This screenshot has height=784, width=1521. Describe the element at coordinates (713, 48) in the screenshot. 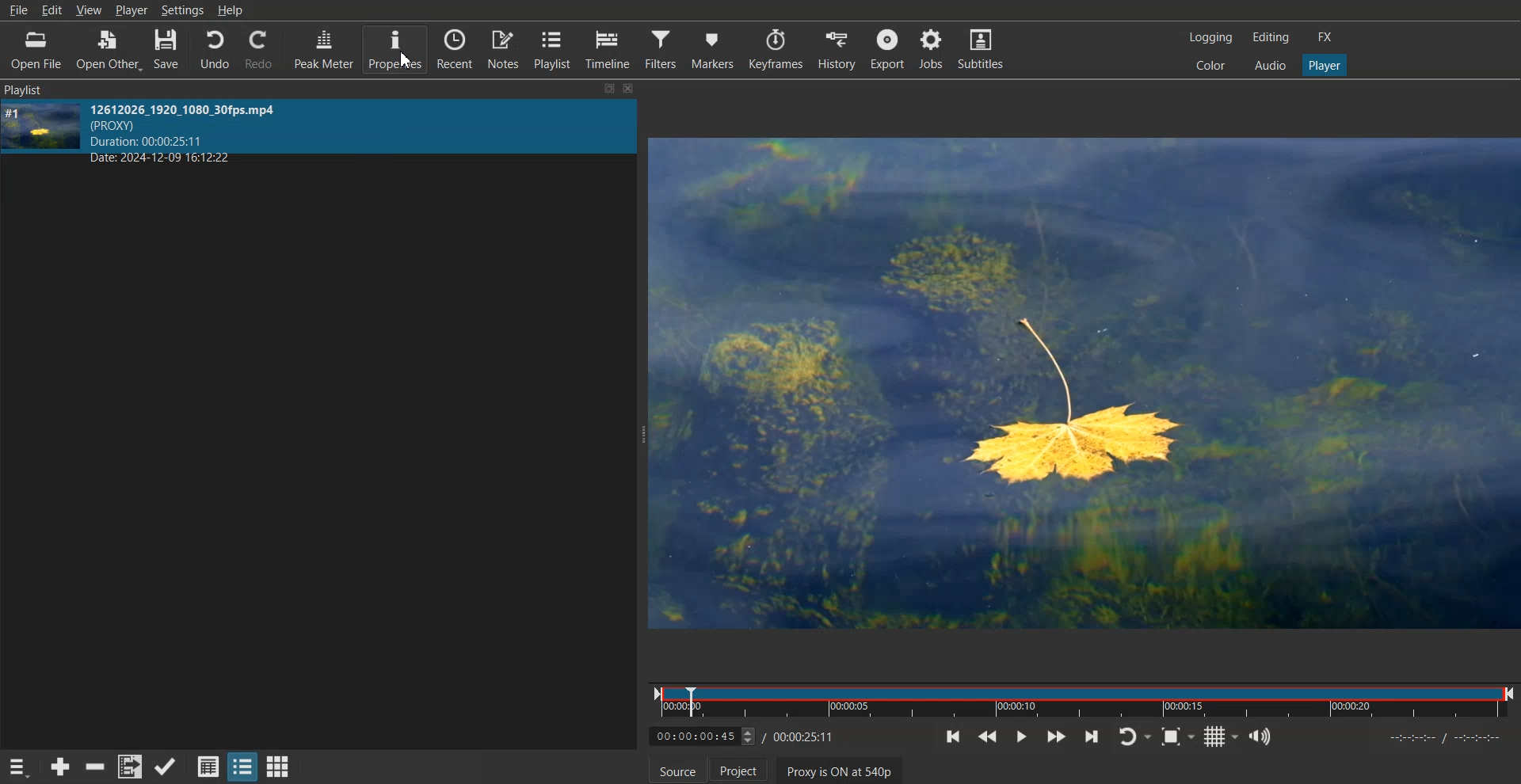

I see `Markers` at that location.